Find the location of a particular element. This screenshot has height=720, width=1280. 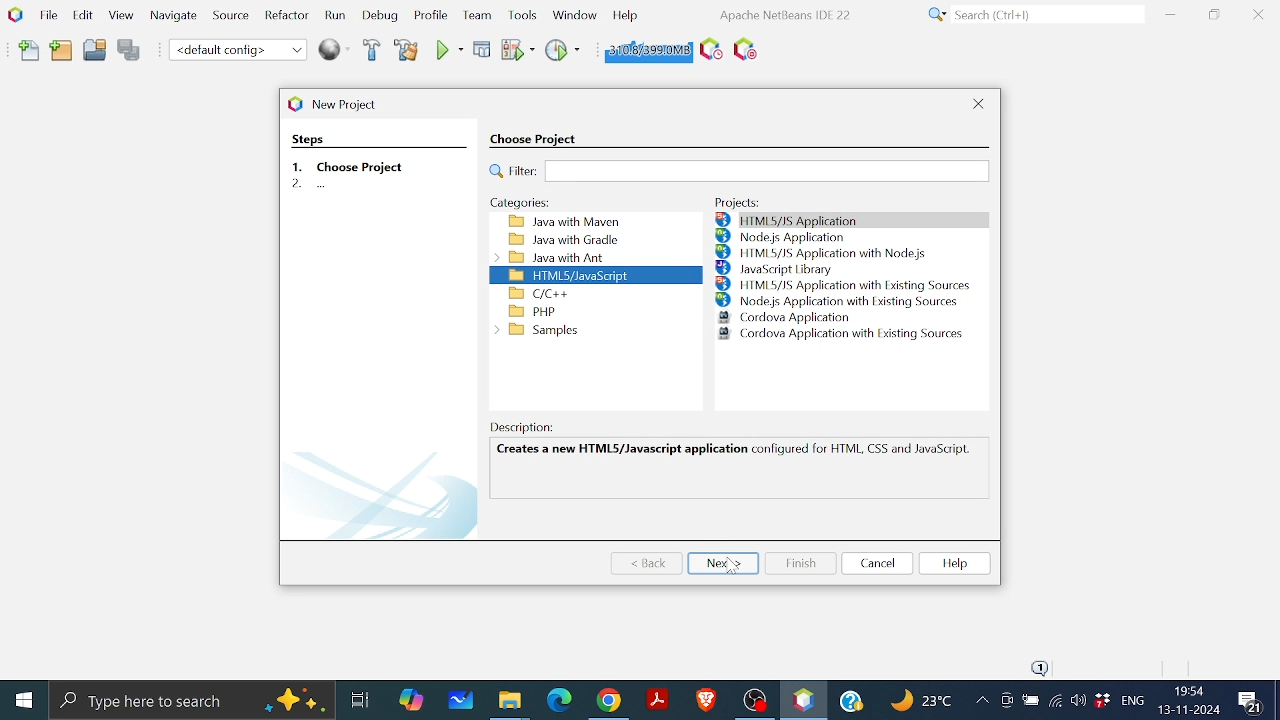

Restore down is located at coordinates (1213, 14).